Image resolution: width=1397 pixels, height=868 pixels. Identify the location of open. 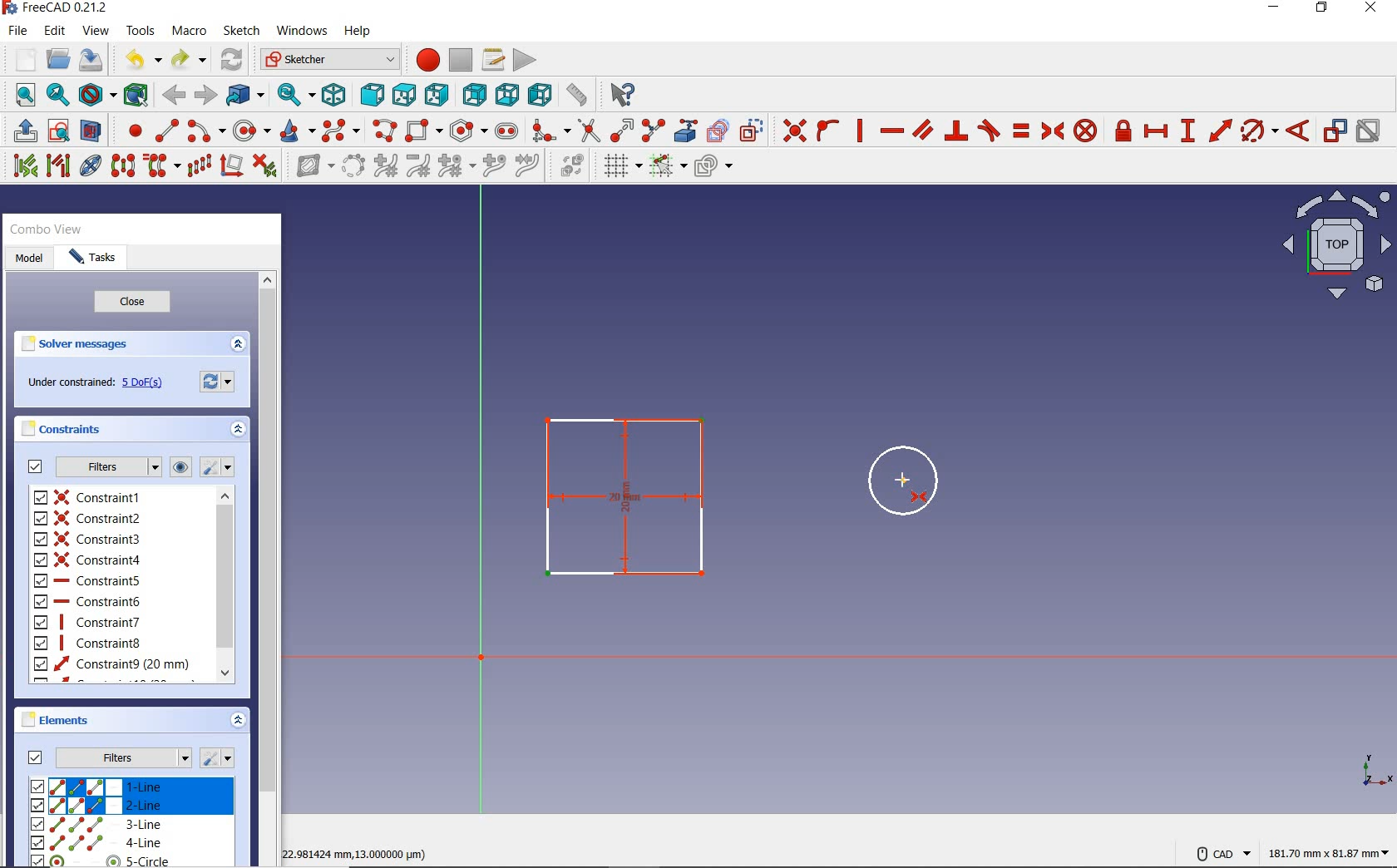
(58, 57).